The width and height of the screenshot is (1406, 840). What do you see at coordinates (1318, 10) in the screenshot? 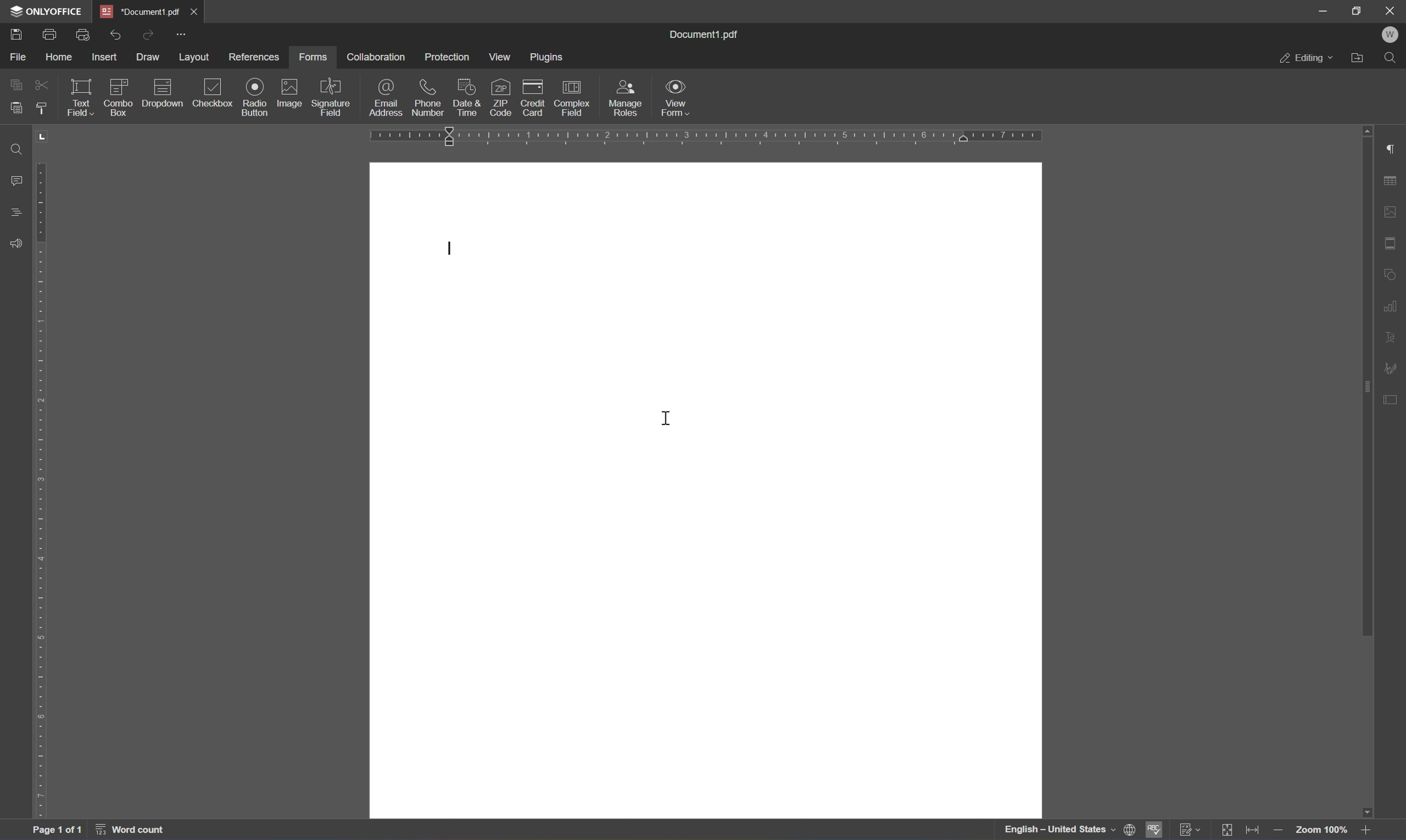
I see `minimize` at bounding box center [1318, 10].